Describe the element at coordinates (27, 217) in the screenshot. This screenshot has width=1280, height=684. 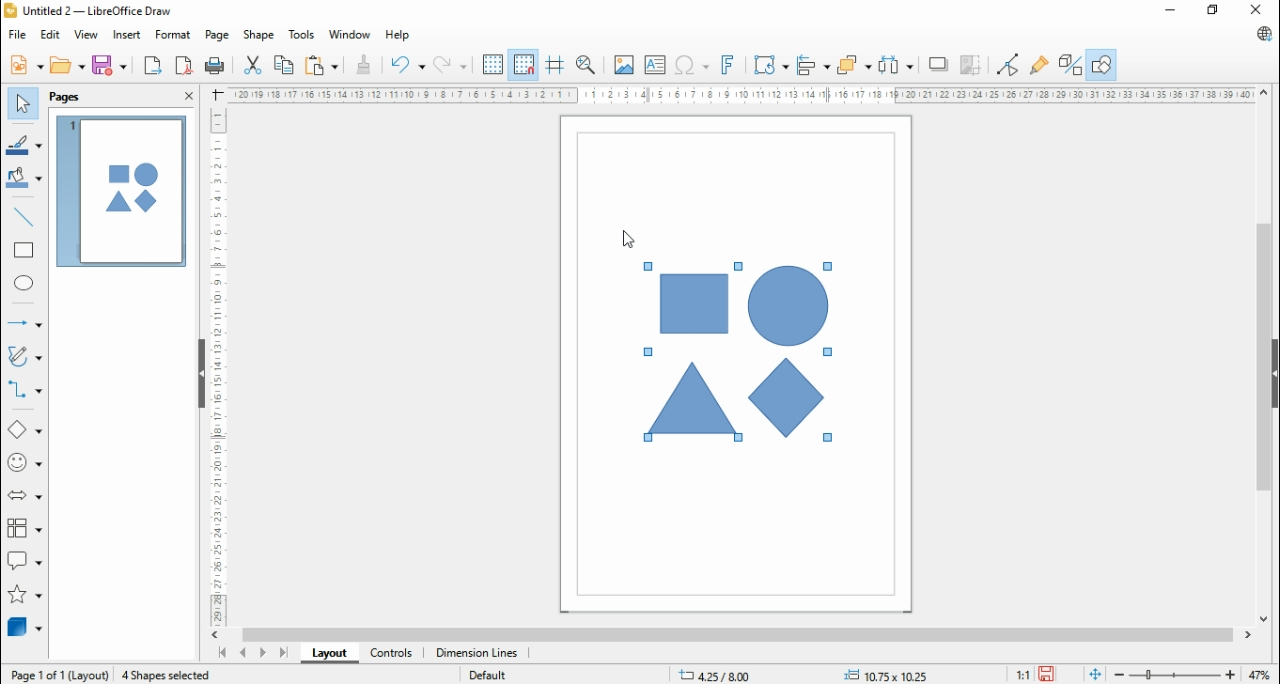
I see `insert line` at that location.